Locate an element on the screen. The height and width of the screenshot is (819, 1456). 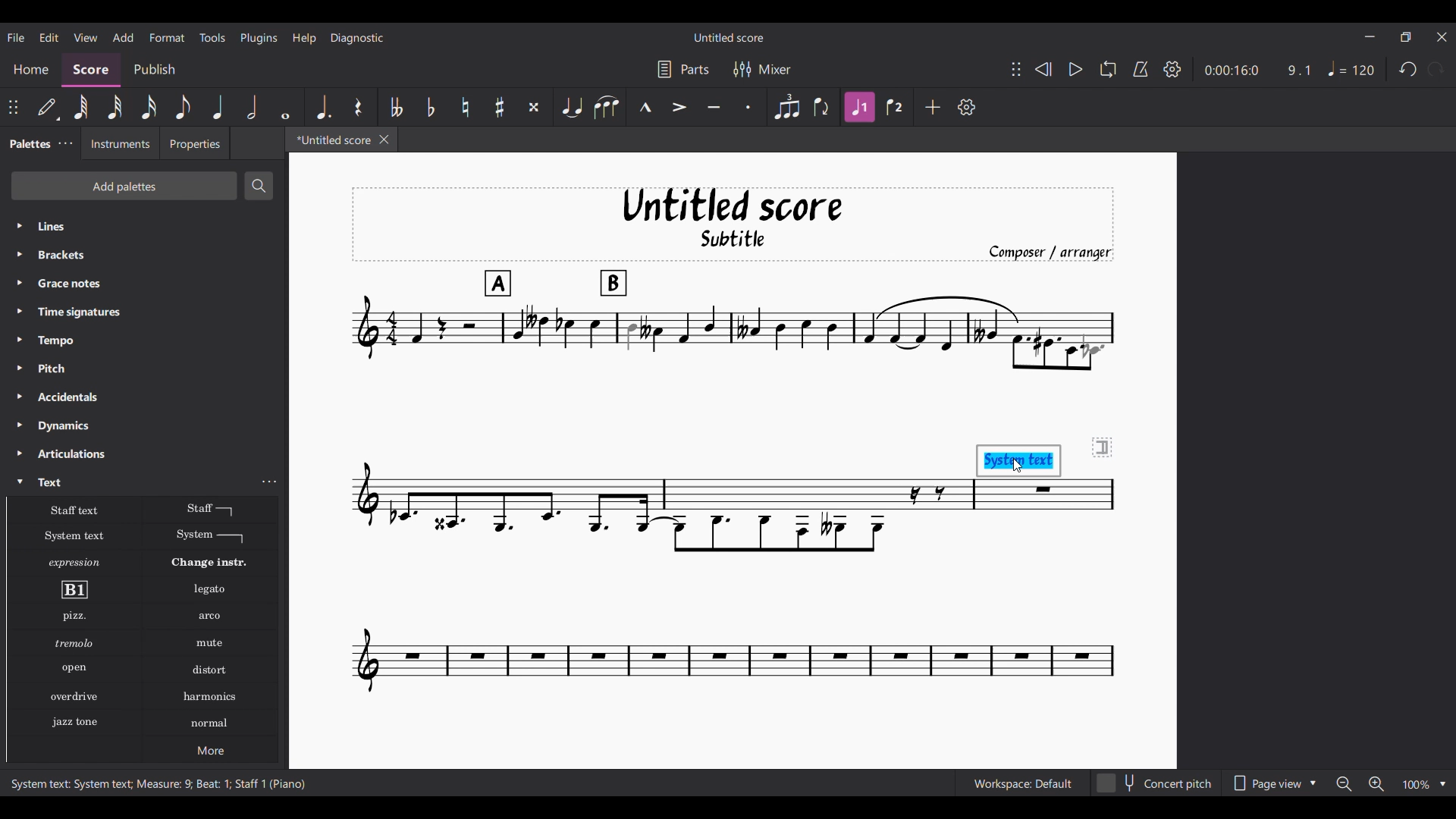
Toggle double flat is located at coordinates (394, 107).